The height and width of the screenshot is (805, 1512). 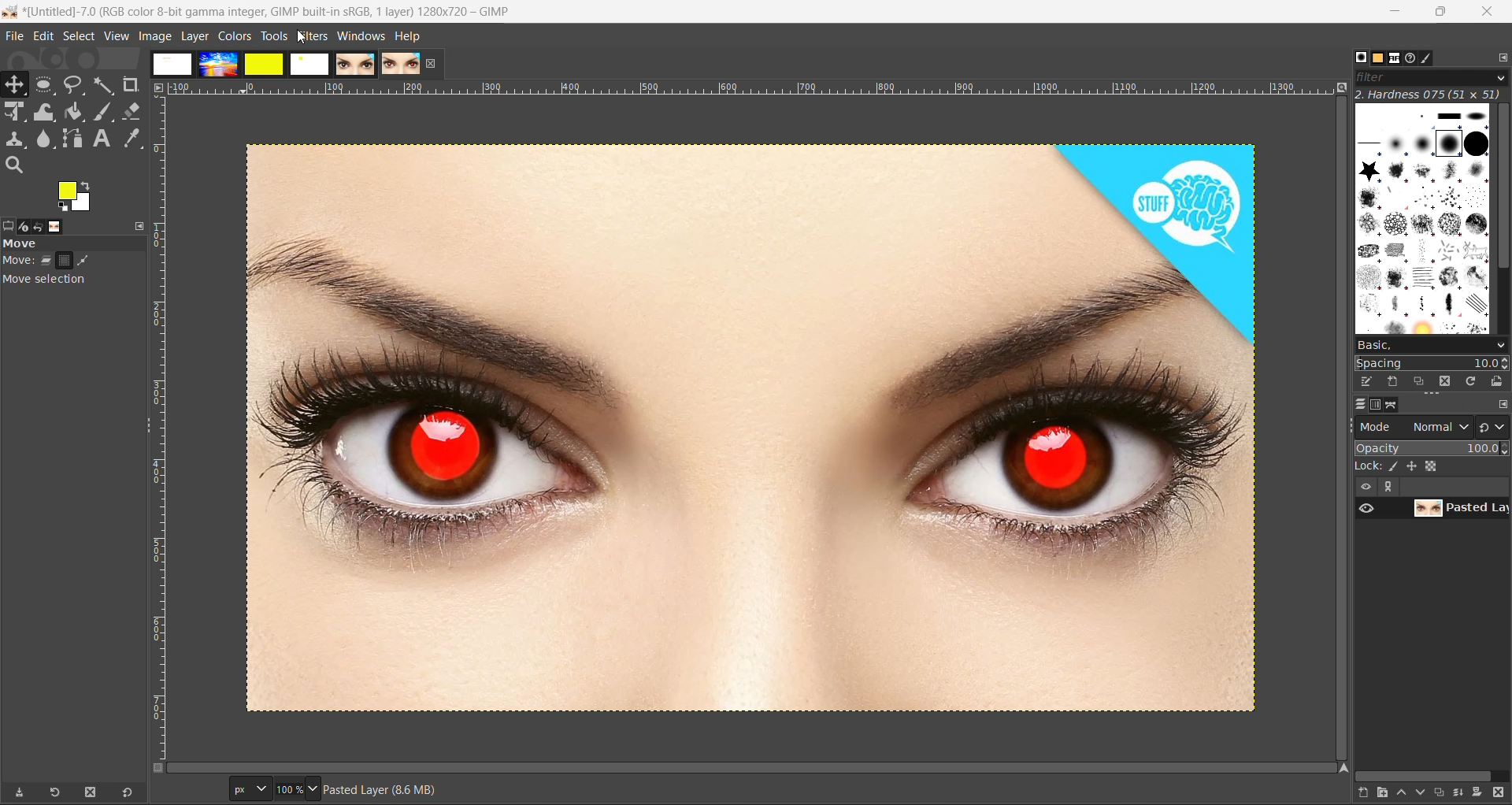 What do you see at coordinates (17, 139) in the screenshot?
I see `clone` at bounding box center [17, 139].